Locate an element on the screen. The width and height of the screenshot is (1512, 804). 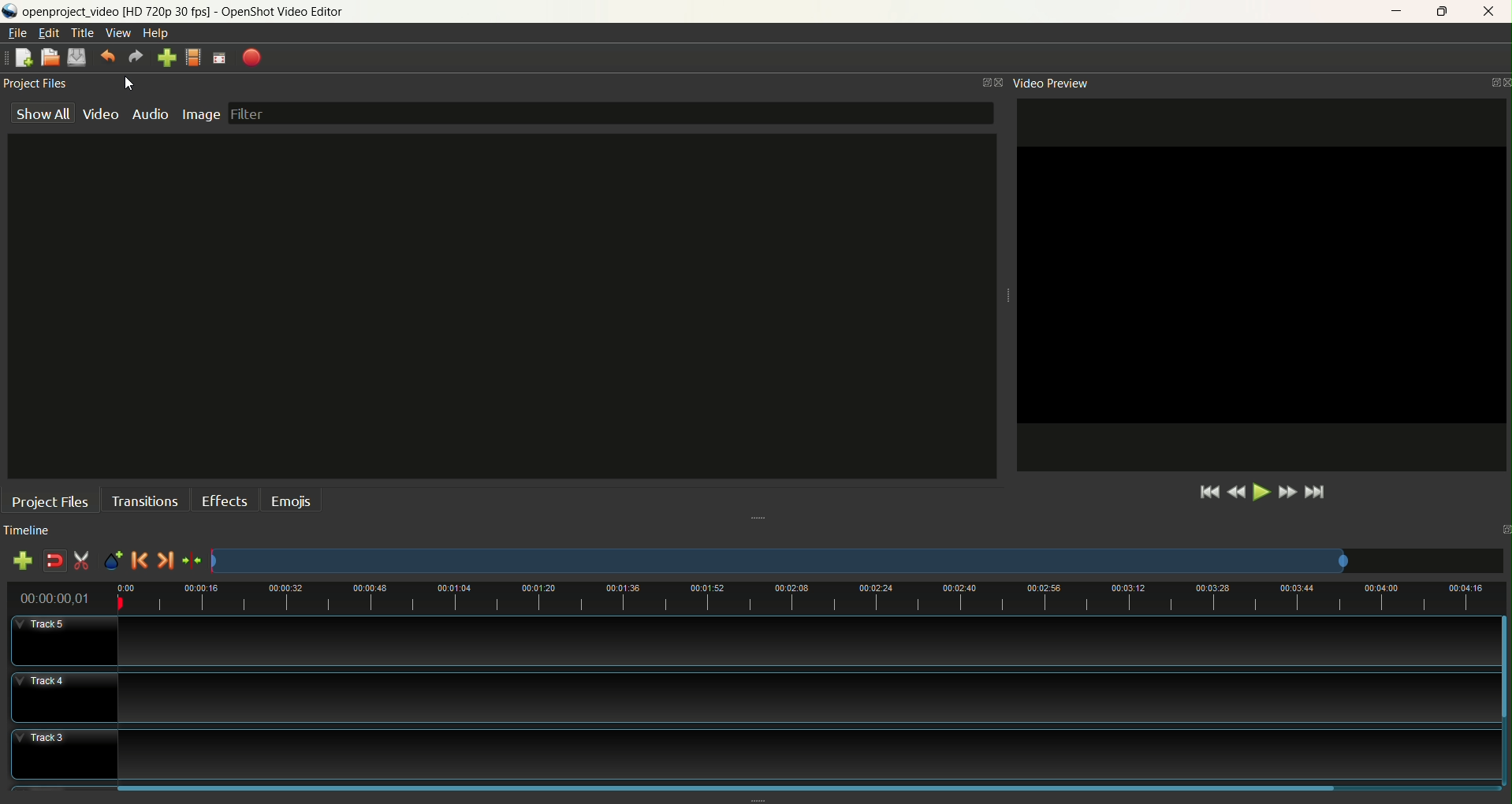
add marker is located at coordinates (113, 561).